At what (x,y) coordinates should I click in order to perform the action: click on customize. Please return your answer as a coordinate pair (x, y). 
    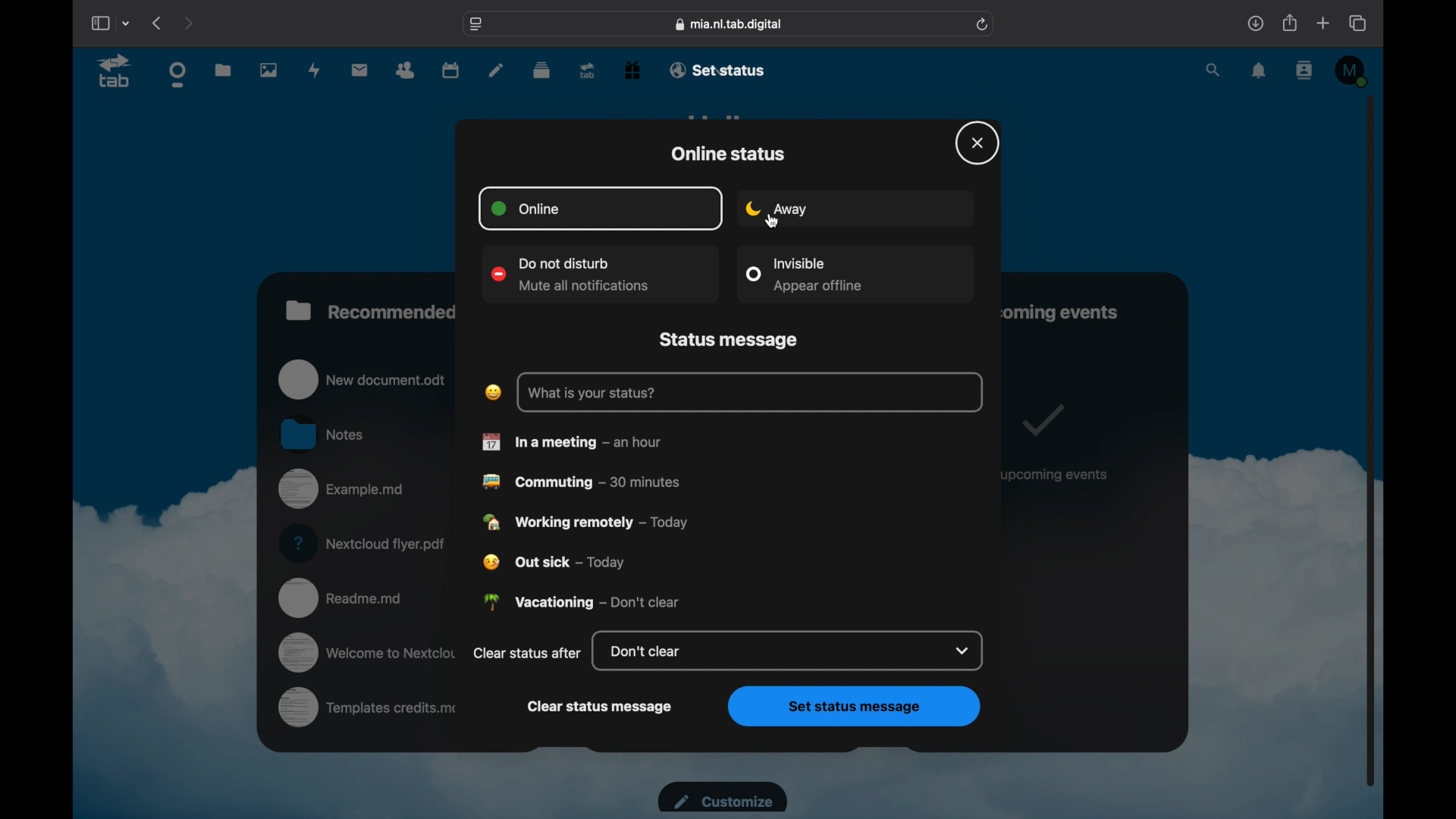
    Looking at the image, I should click on (723, 797).